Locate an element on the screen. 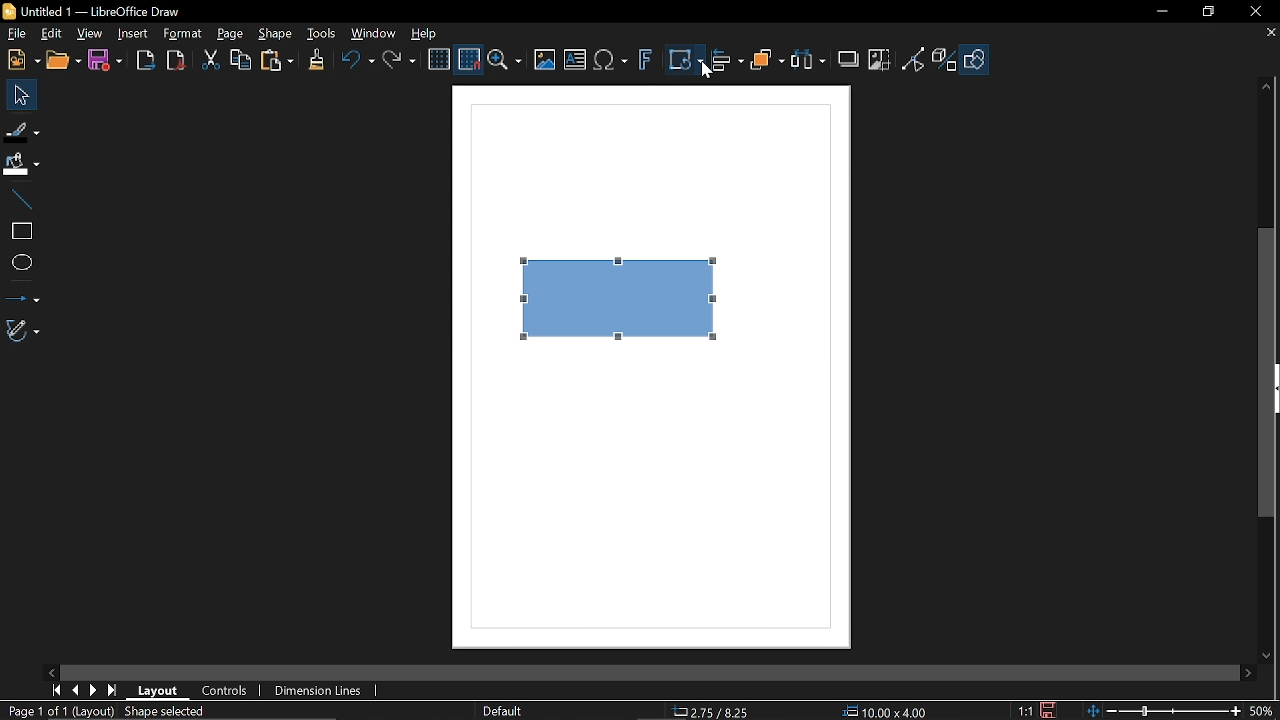 The image size is (1280, 720). Shadow is located at coordinates (850, 57).